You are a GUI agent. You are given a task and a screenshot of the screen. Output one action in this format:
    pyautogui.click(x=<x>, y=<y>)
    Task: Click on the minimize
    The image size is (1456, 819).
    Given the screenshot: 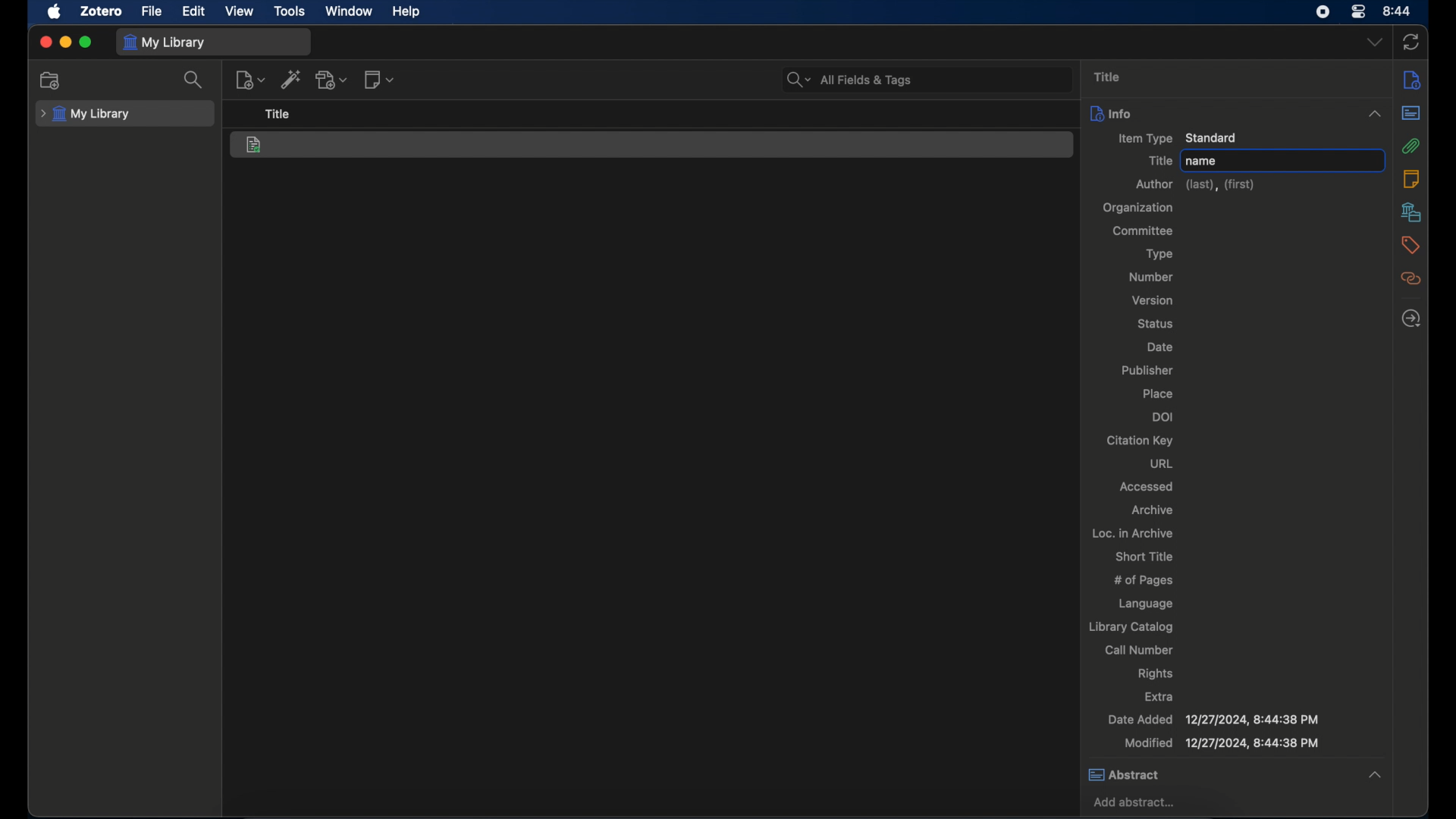 What is the action you would take?
    pyautogui.click(x=67, y=42)
    